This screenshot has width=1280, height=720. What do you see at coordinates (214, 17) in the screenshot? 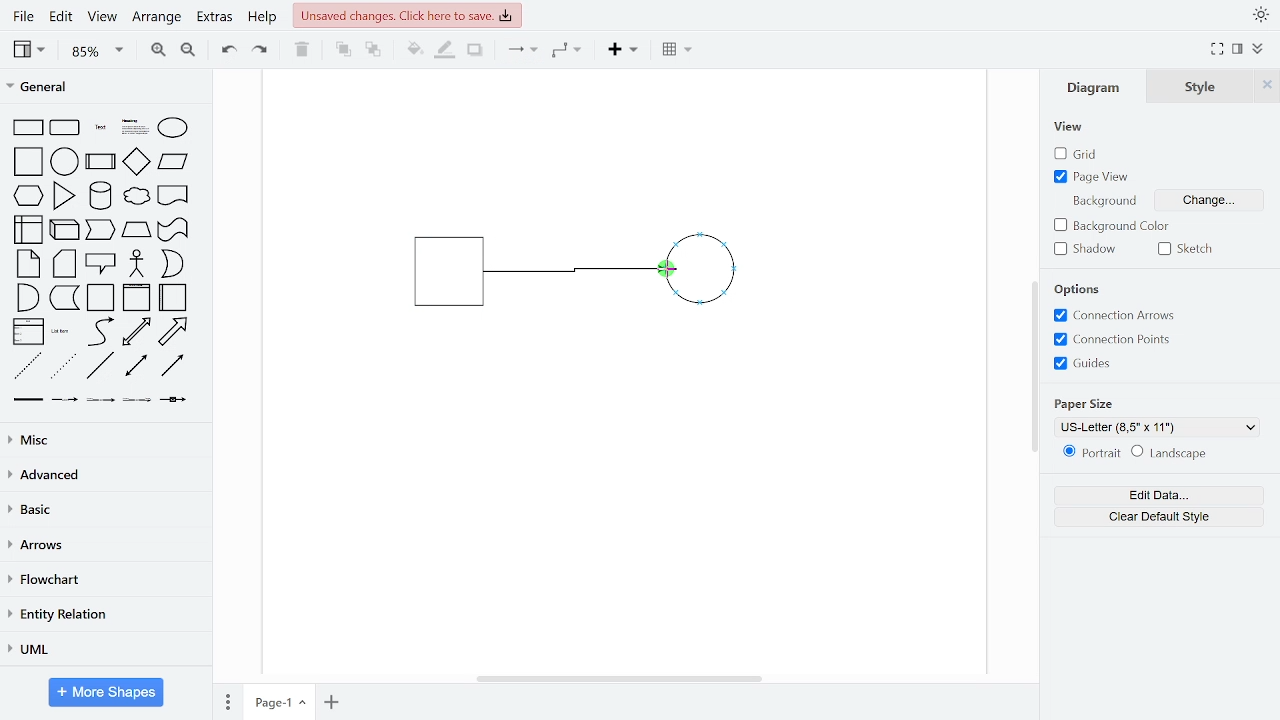
I see `extras` at bounding box center [214, 17].